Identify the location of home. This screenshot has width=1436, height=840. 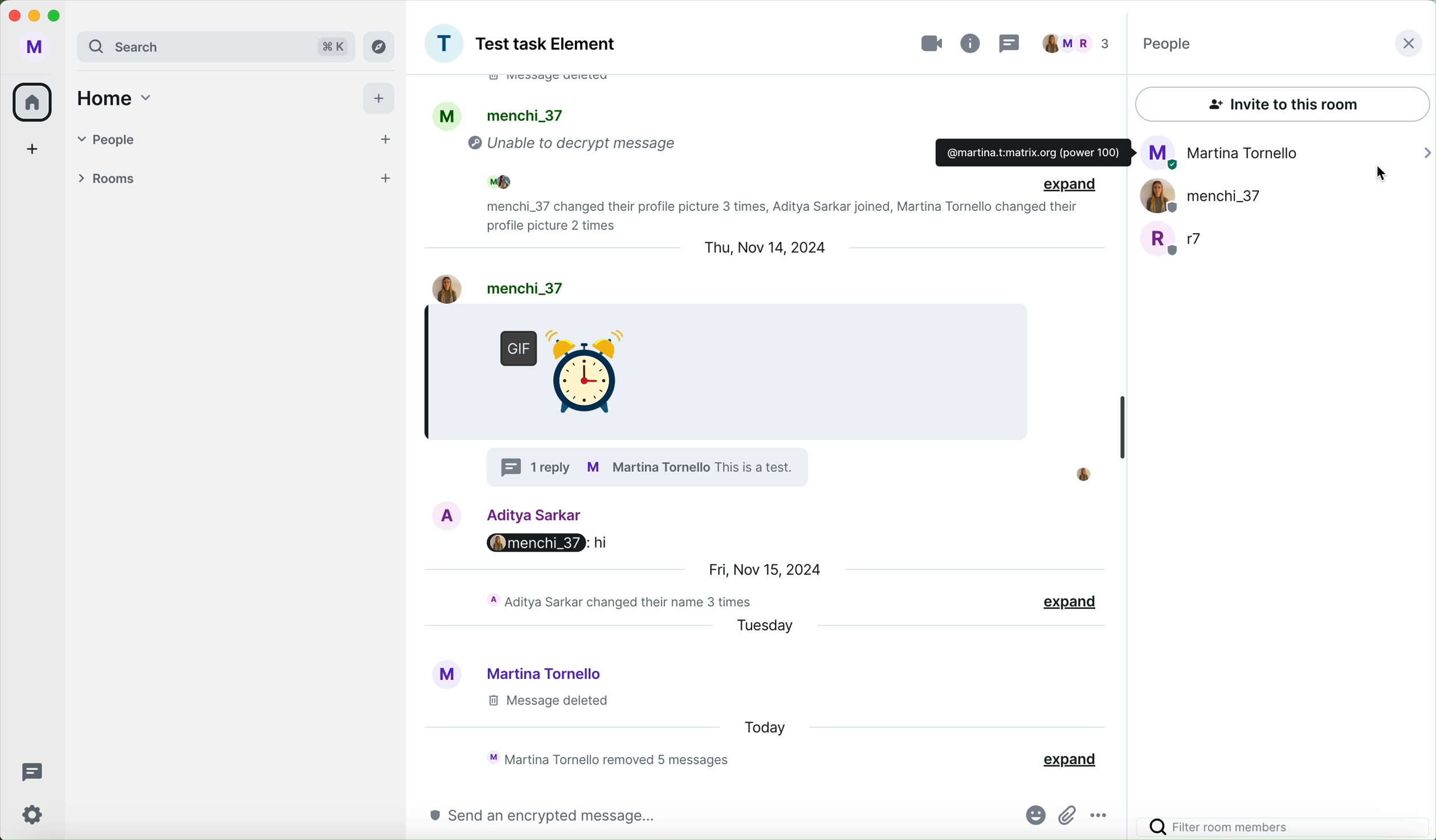
(119, 100).